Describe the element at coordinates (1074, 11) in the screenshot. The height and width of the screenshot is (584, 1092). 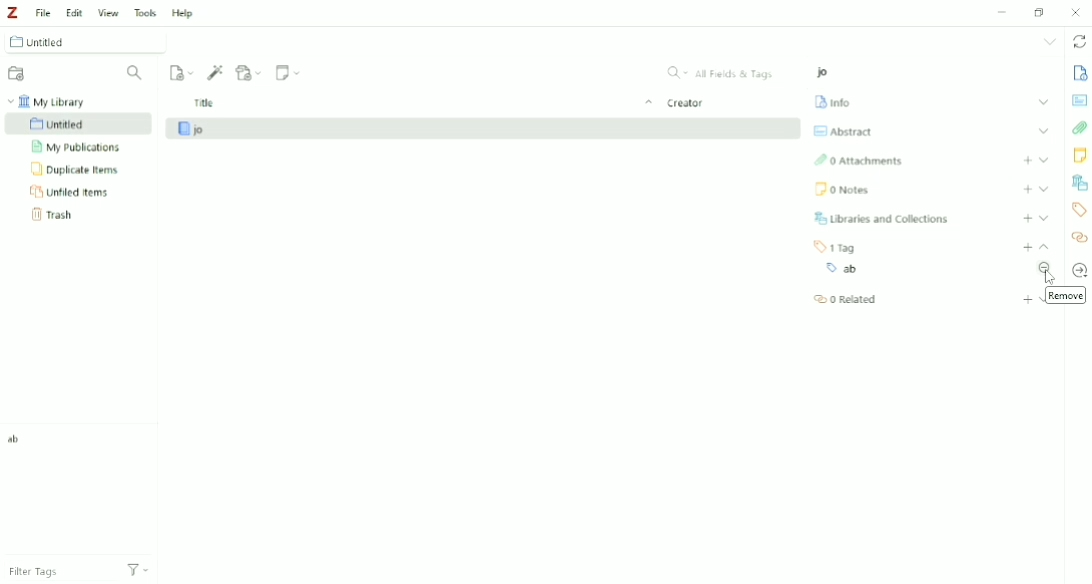
I see `Close` at that location.